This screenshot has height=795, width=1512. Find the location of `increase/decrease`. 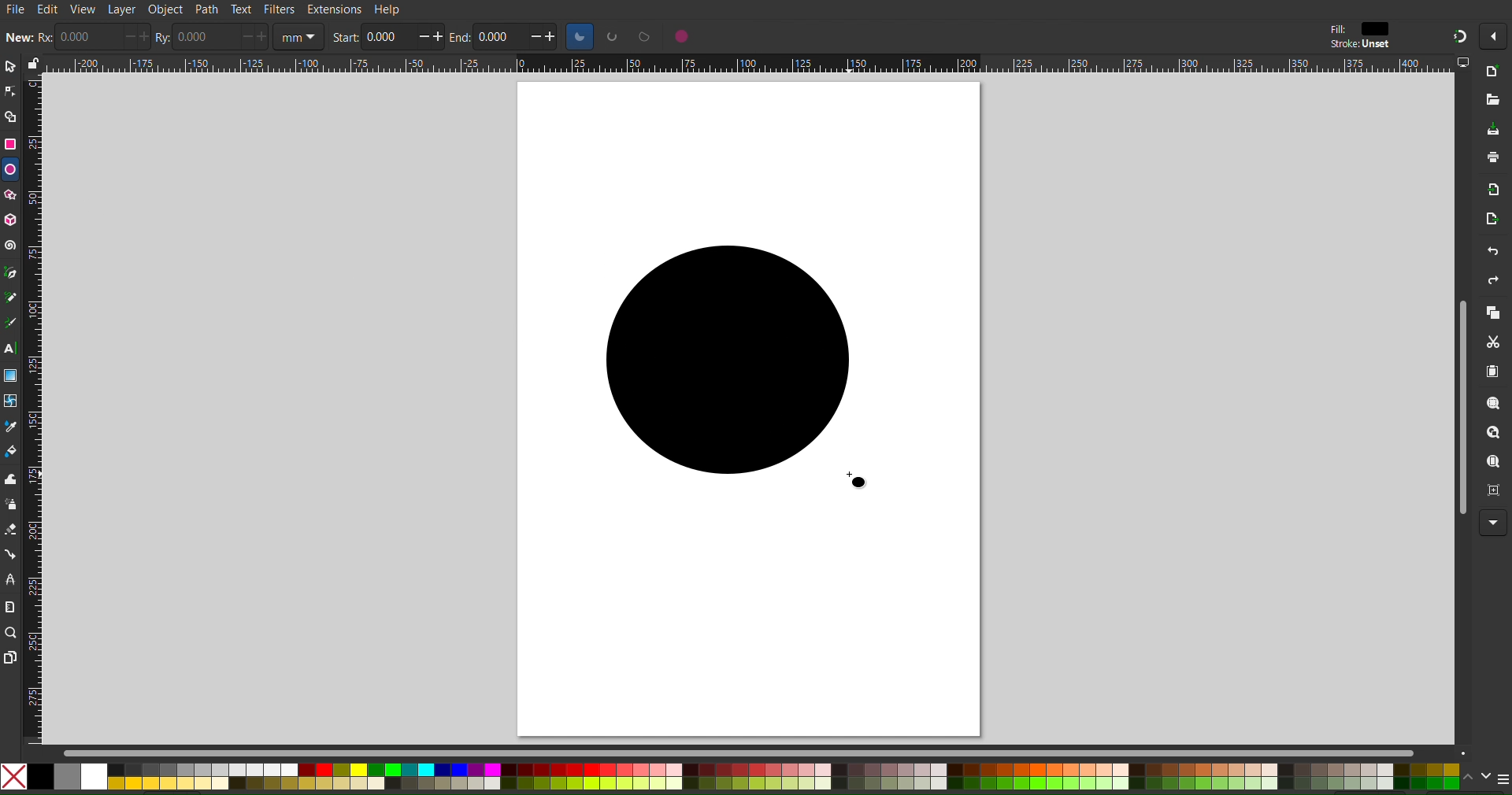

increase/decrease is located at coordinates (543, 36).